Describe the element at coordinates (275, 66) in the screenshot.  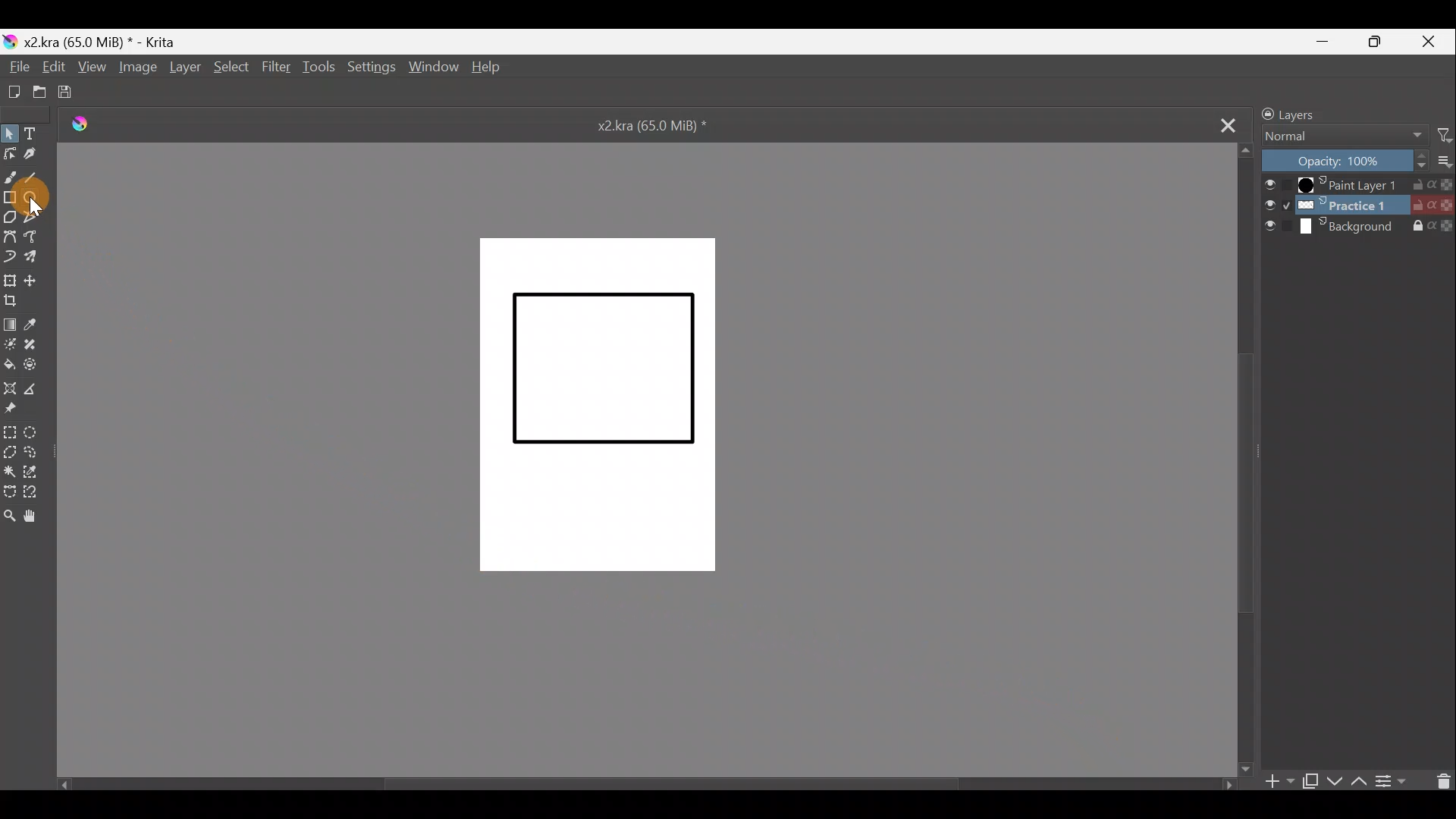
I see `Filter` at that location.